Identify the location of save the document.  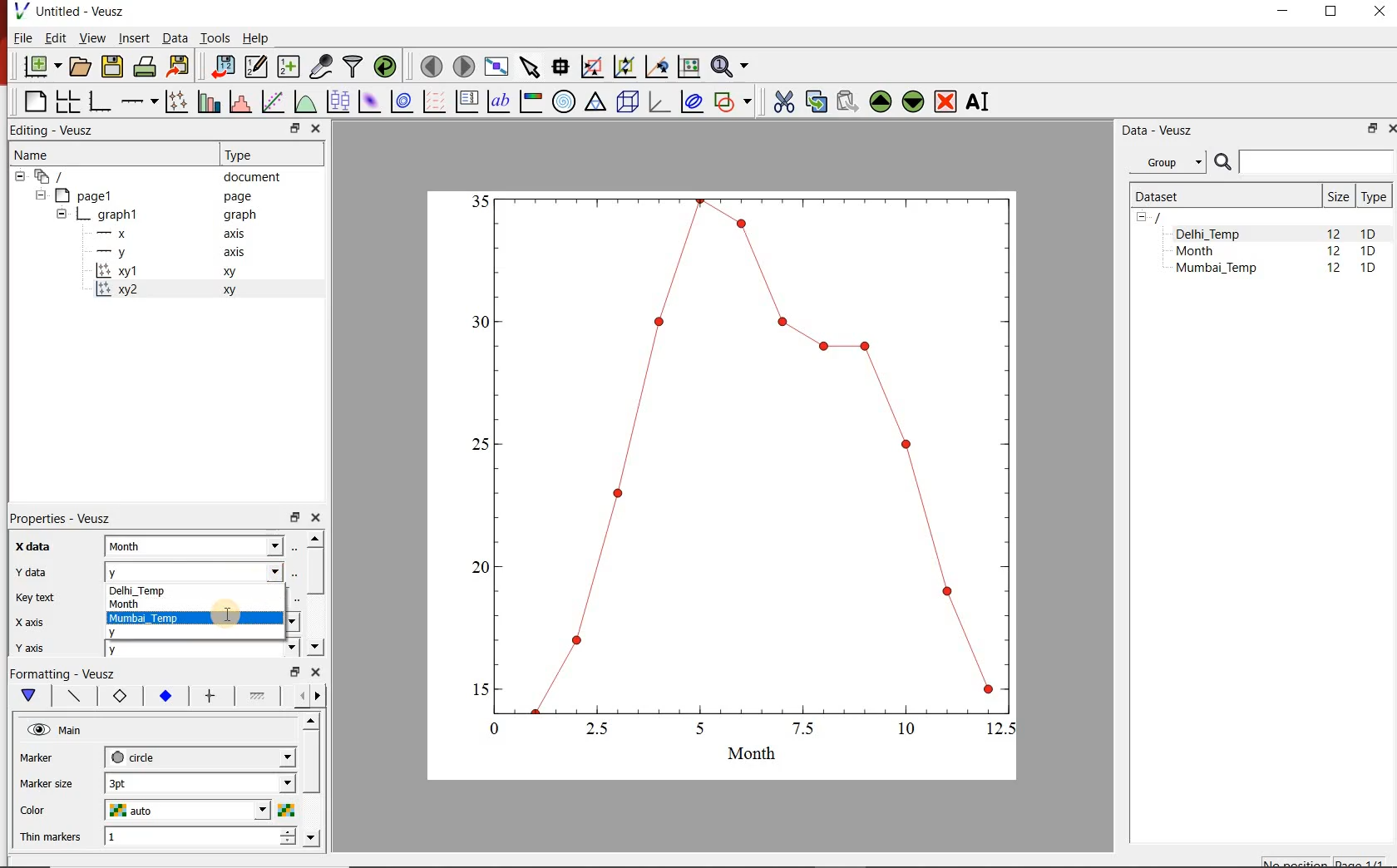
(111, 67).